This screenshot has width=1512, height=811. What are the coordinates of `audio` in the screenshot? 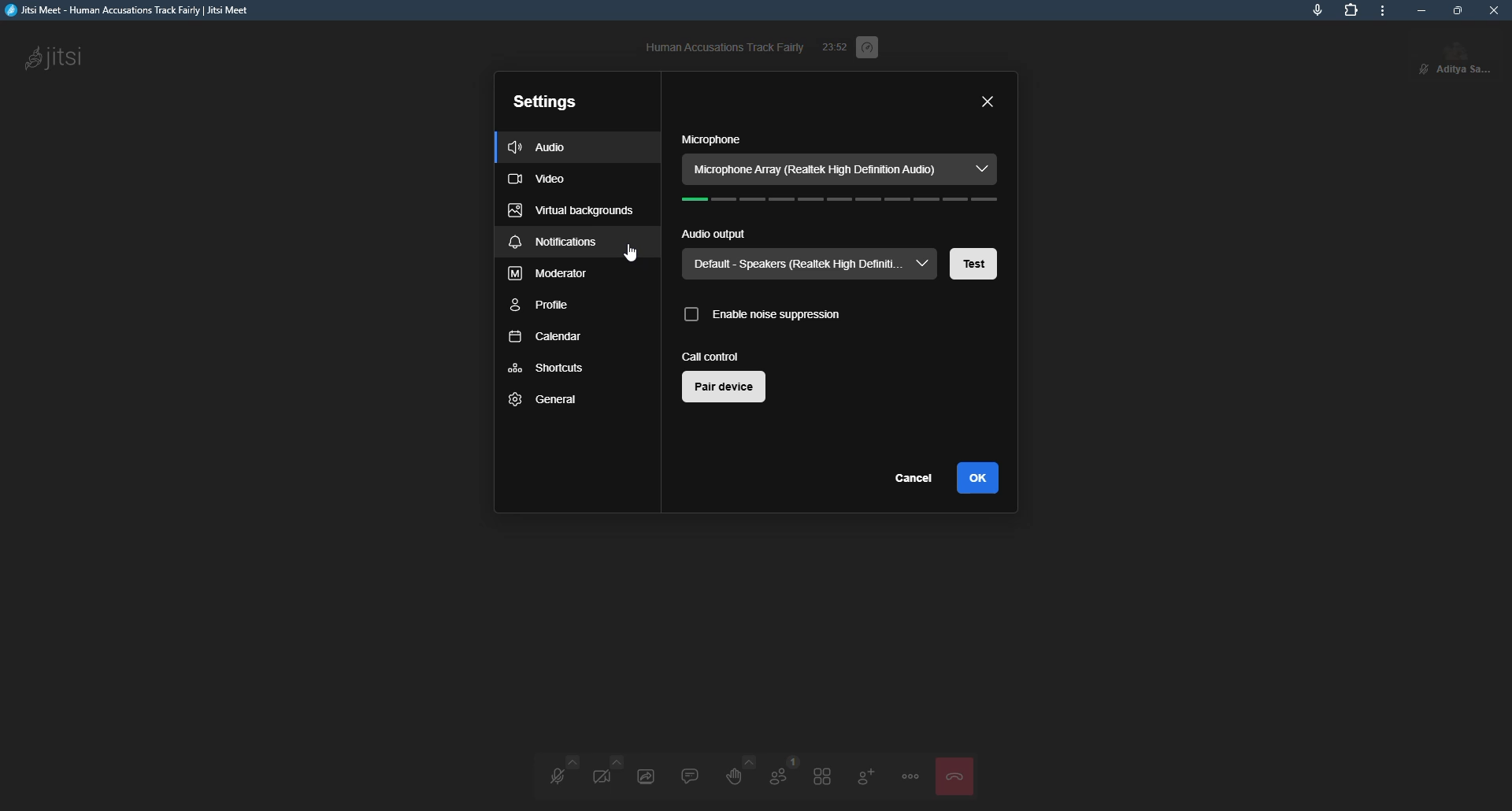 It's located at (536, 148).